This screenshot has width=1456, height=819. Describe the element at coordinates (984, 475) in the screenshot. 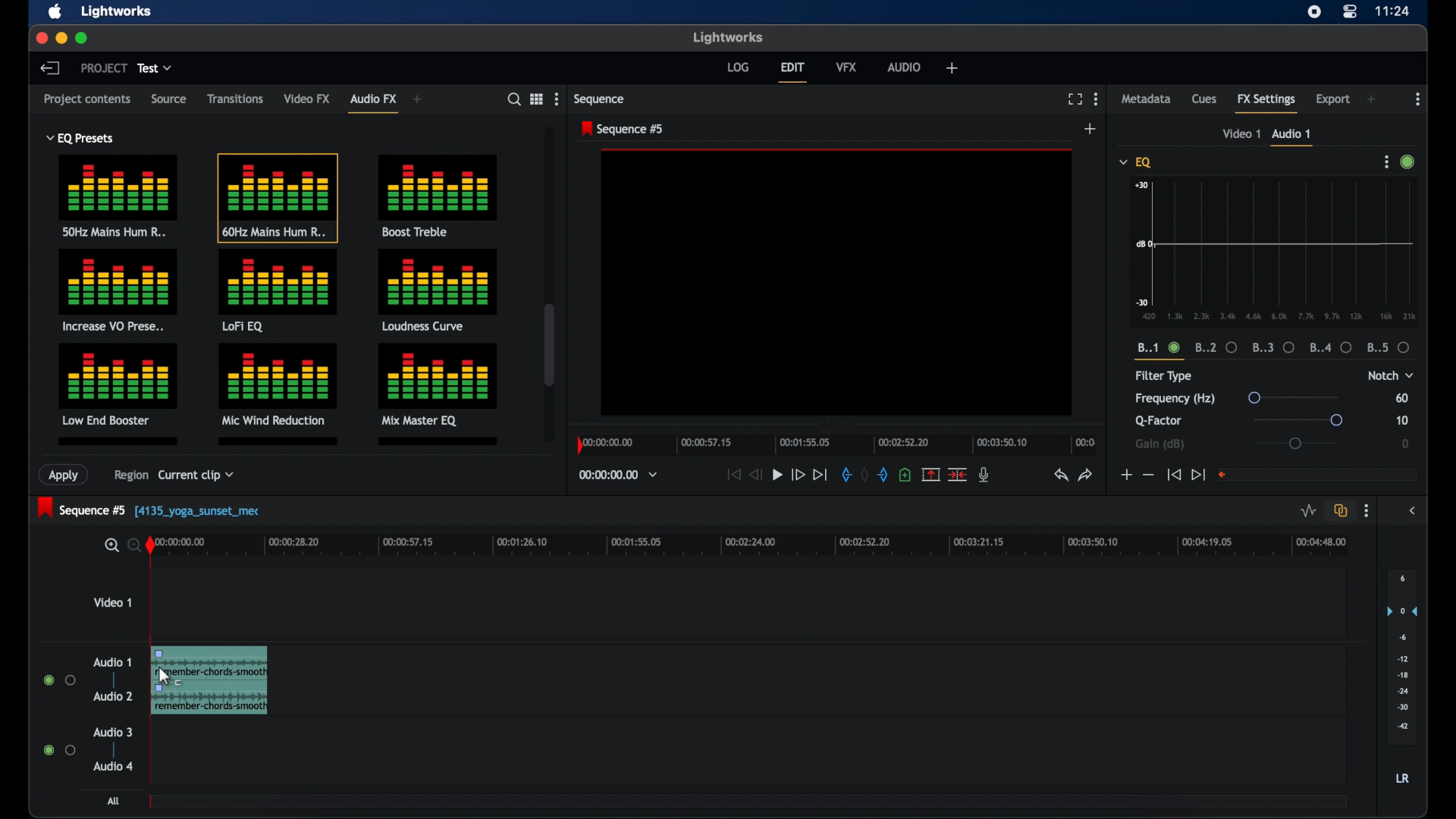

I see `mic` at that location.